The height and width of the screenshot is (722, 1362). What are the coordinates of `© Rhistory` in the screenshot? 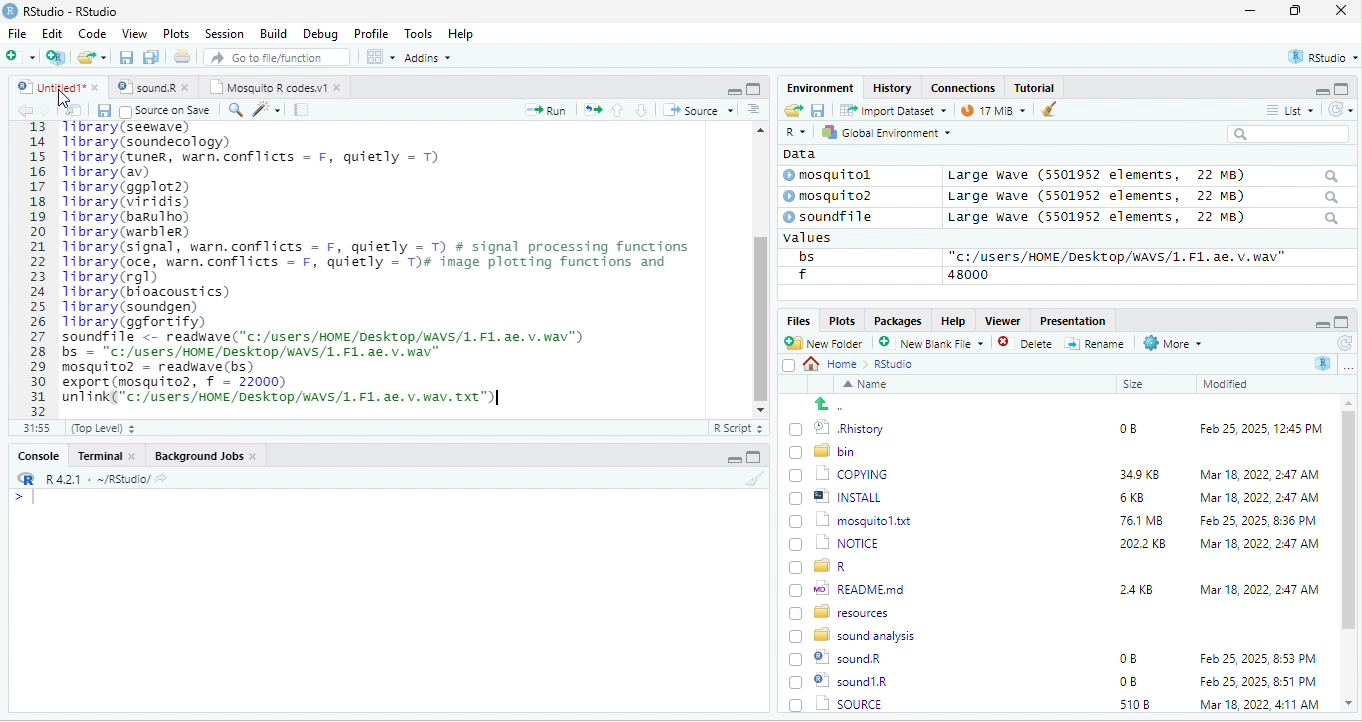 It's located at (838, 426).